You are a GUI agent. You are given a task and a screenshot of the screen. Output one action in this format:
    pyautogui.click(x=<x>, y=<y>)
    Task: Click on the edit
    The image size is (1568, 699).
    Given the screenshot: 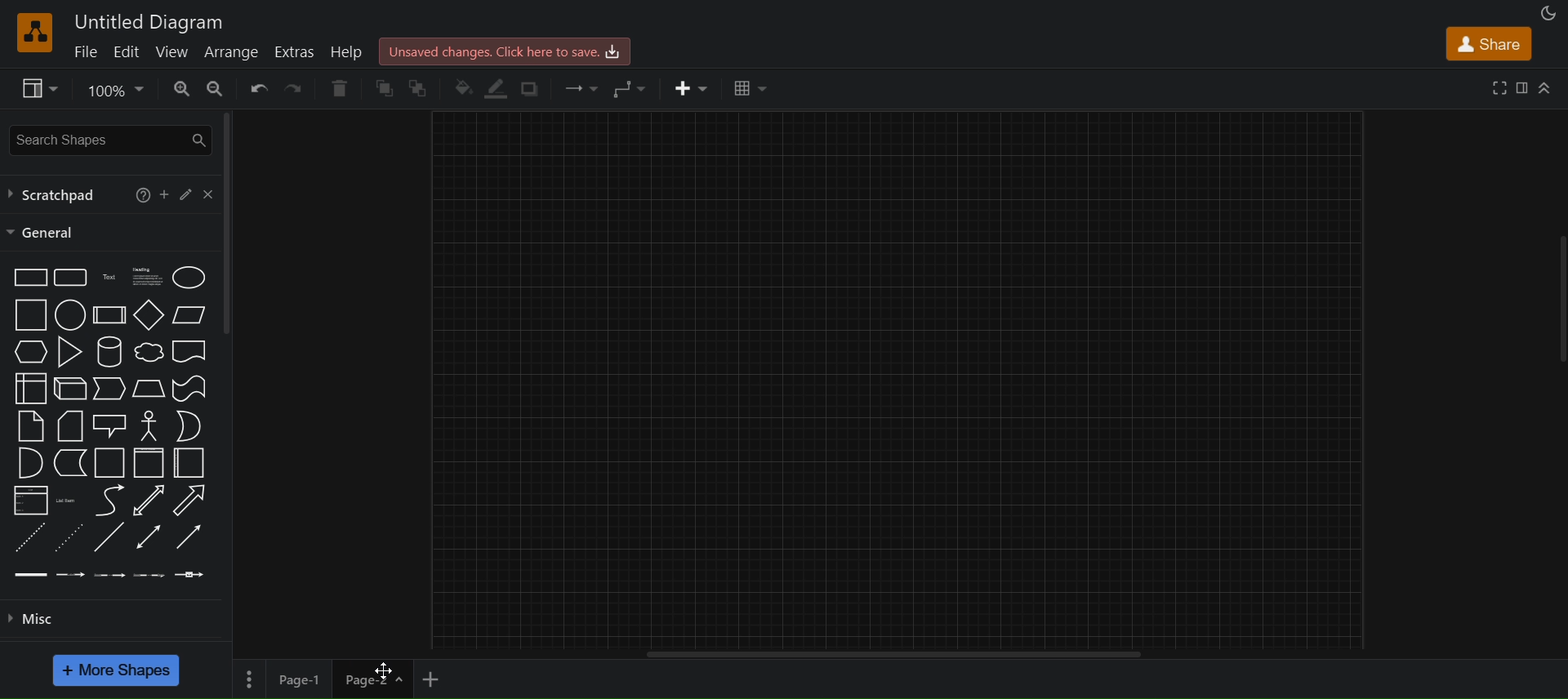 What is the action you would take?
    pyautogui.click(x=185, y=194)
    